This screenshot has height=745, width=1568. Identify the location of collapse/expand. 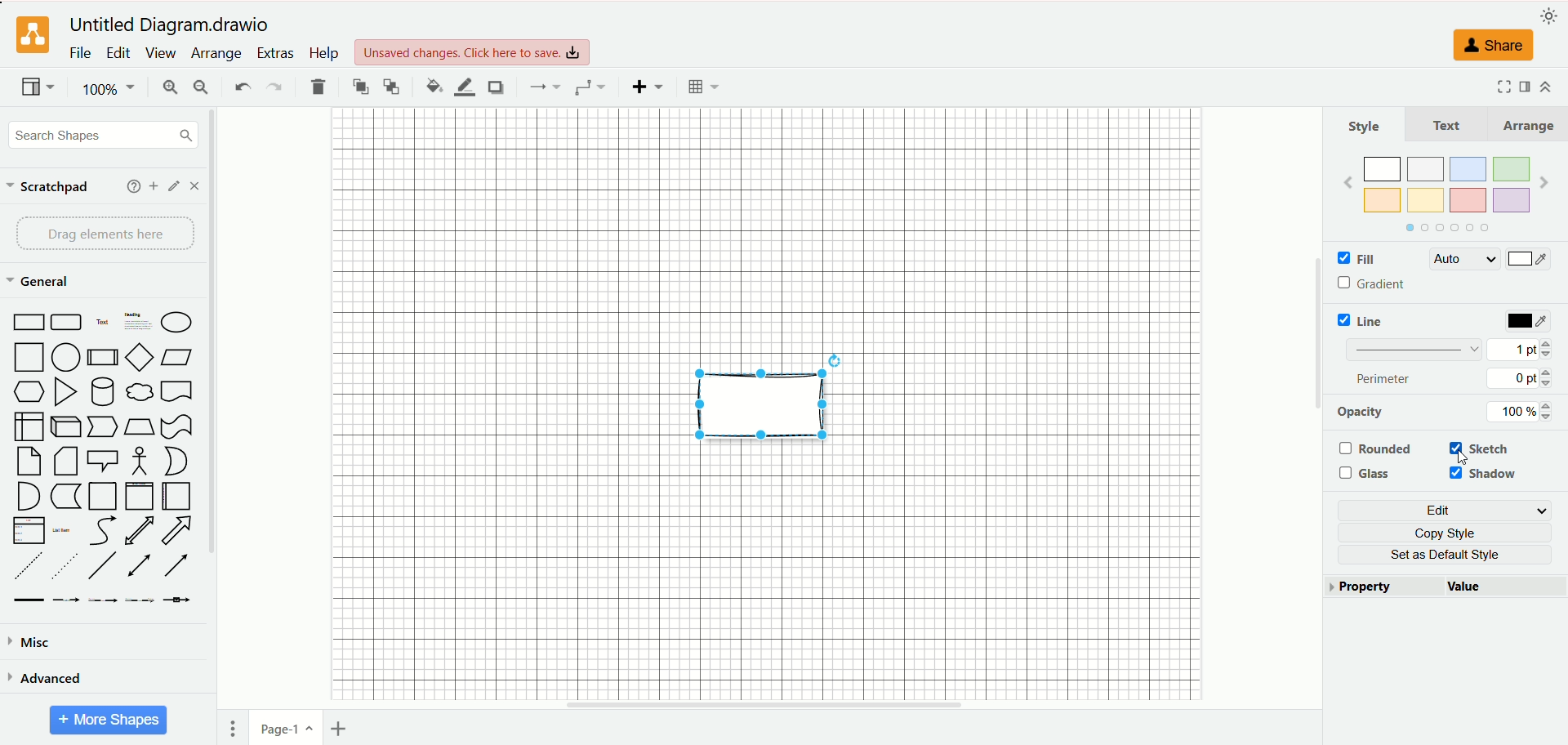
(1545, 87).